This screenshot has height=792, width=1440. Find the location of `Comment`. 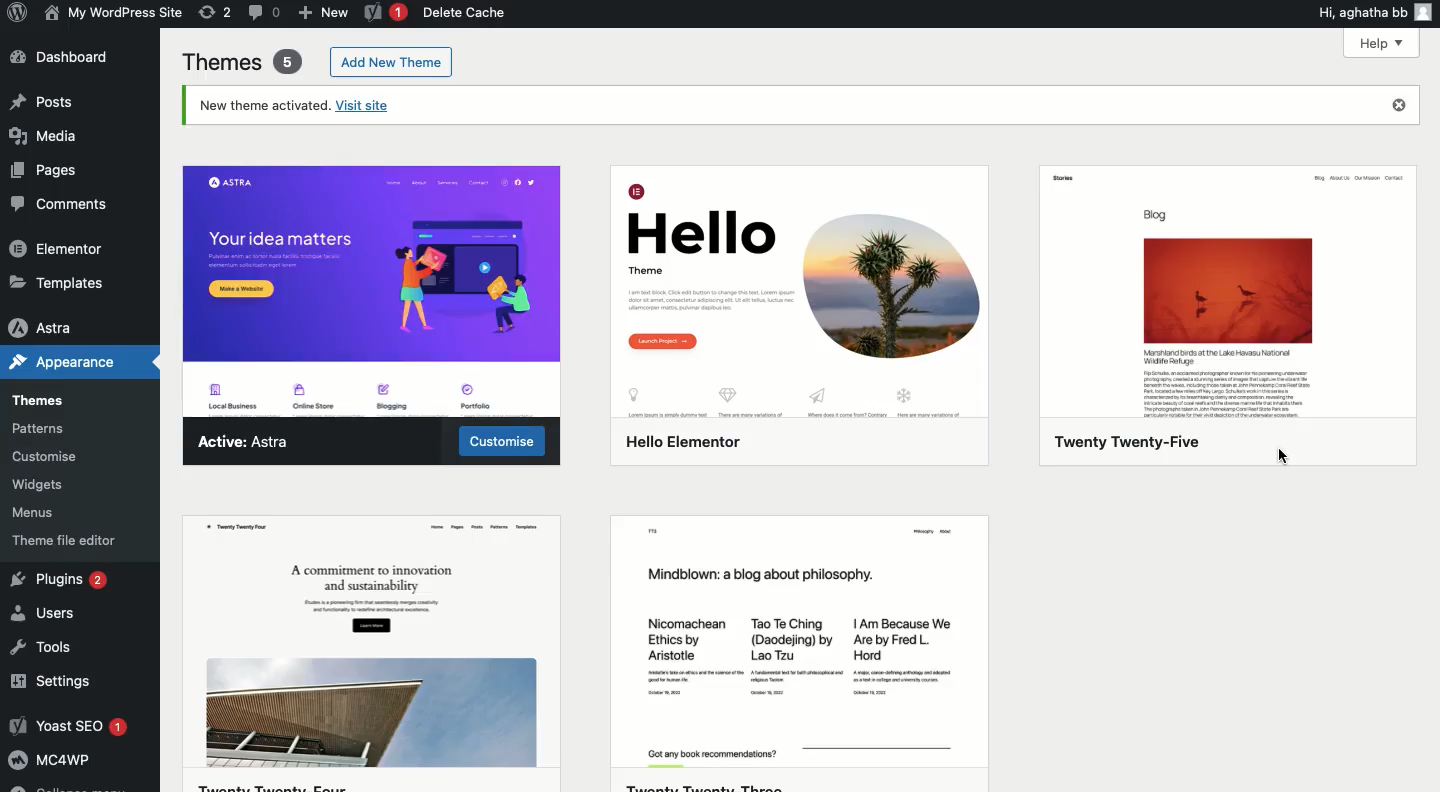

Comment is located at coordinates (265, 12).